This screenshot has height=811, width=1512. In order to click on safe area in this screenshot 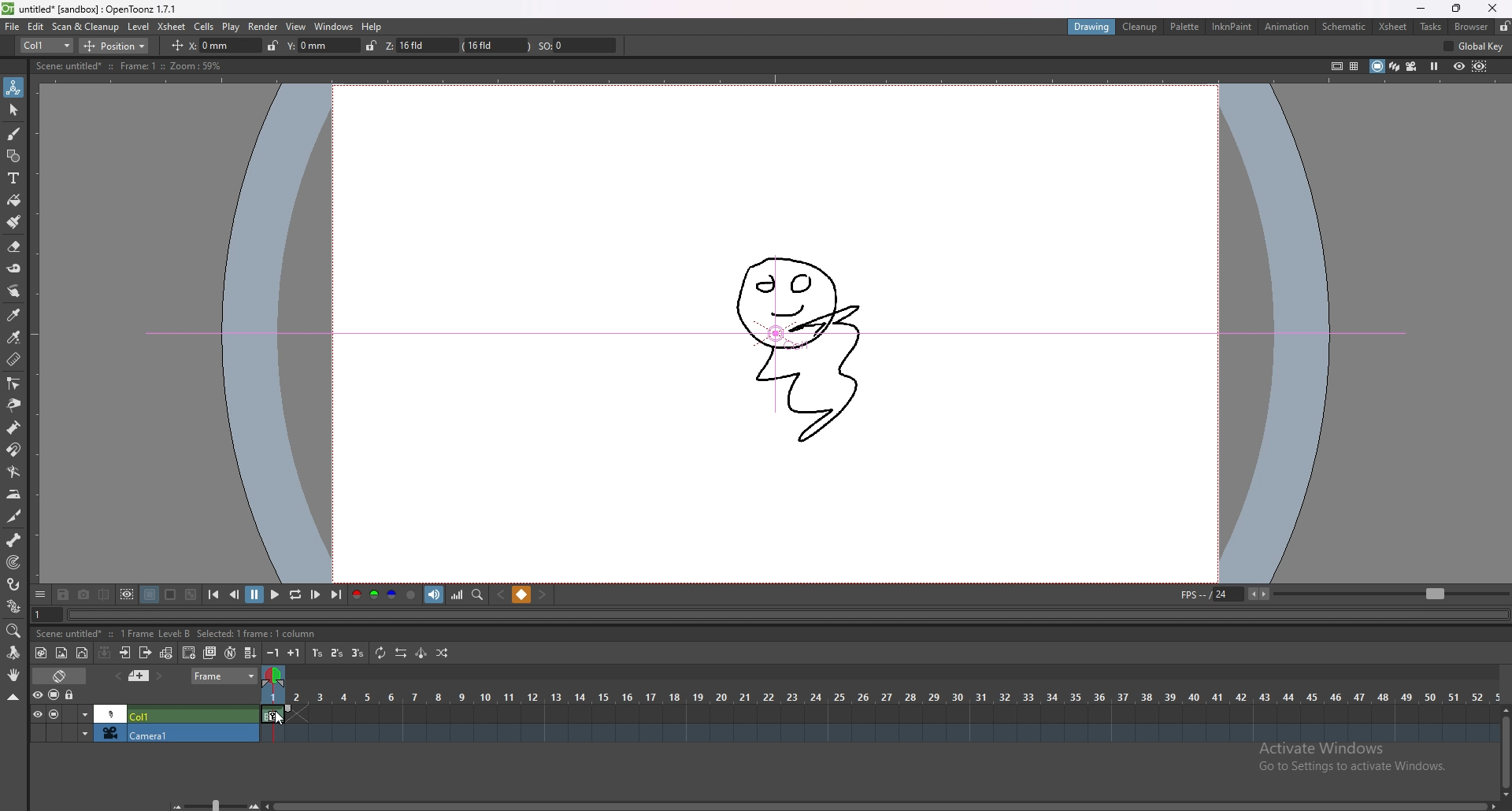, I will do `click(1335, 65)`.